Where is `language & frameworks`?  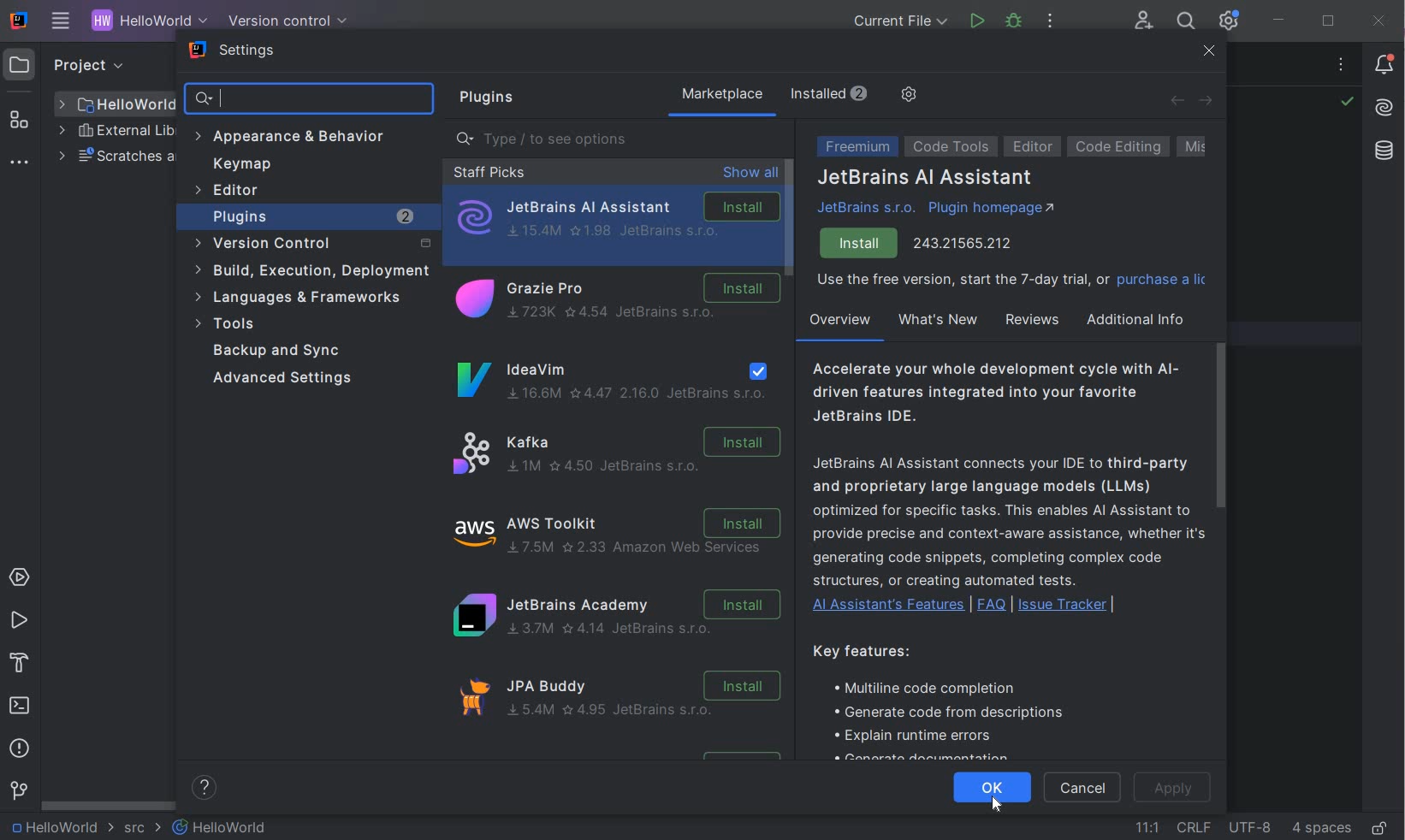
language & frameworks is located at coordinates (300, 300).